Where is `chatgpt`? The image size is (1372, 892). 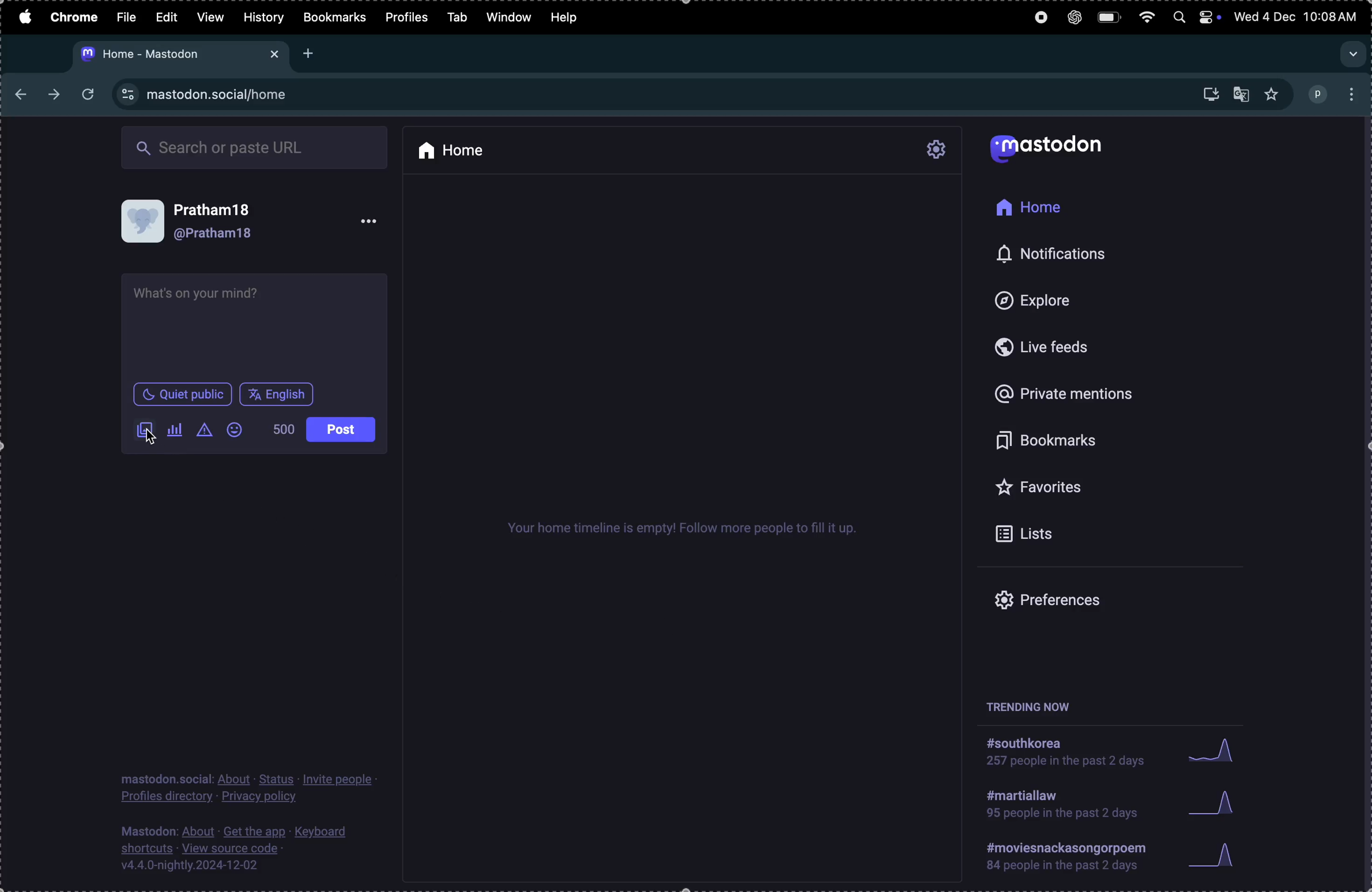 chatgpt is located at coordinates (1069, 17).